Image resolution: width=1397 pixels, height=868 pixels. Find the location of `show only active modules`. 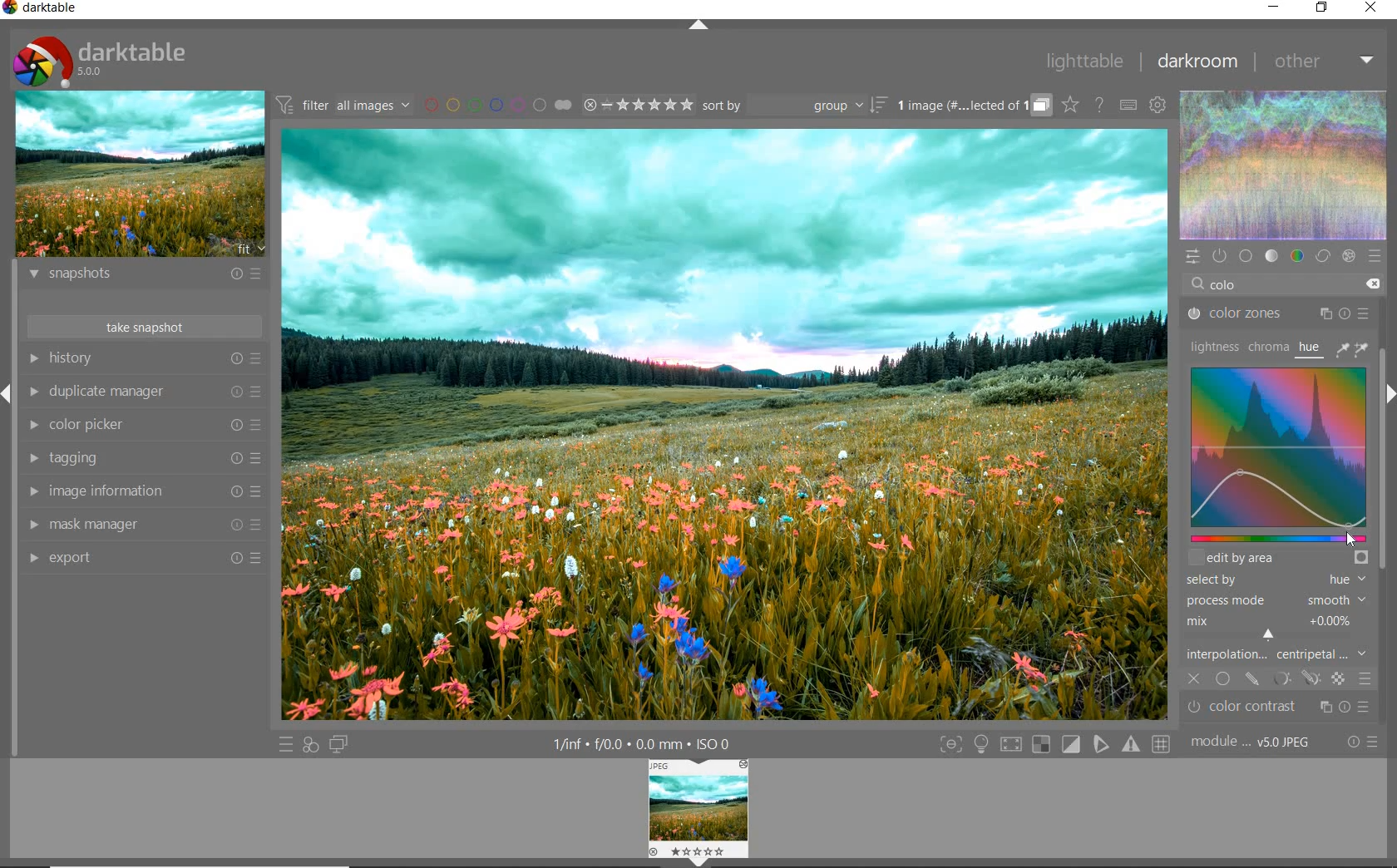

show only active modules is located at coordinates (1218, 254).